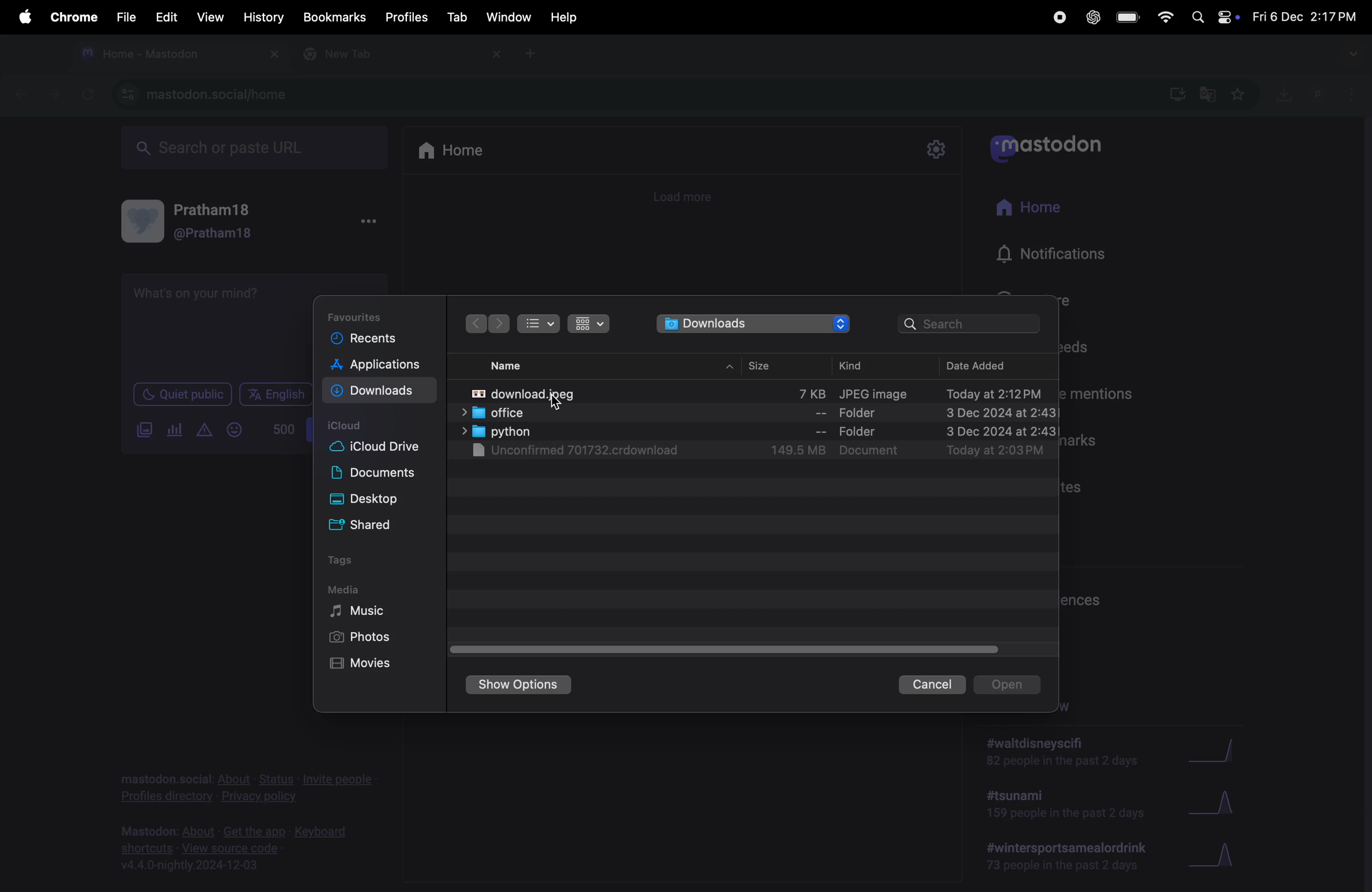 Image resolution: width=1372 pixels, height=892 pixels. What do you see at coordinates (235, 430) in the screenshot?
I see `Emoji` at bounding box center [235, 430].